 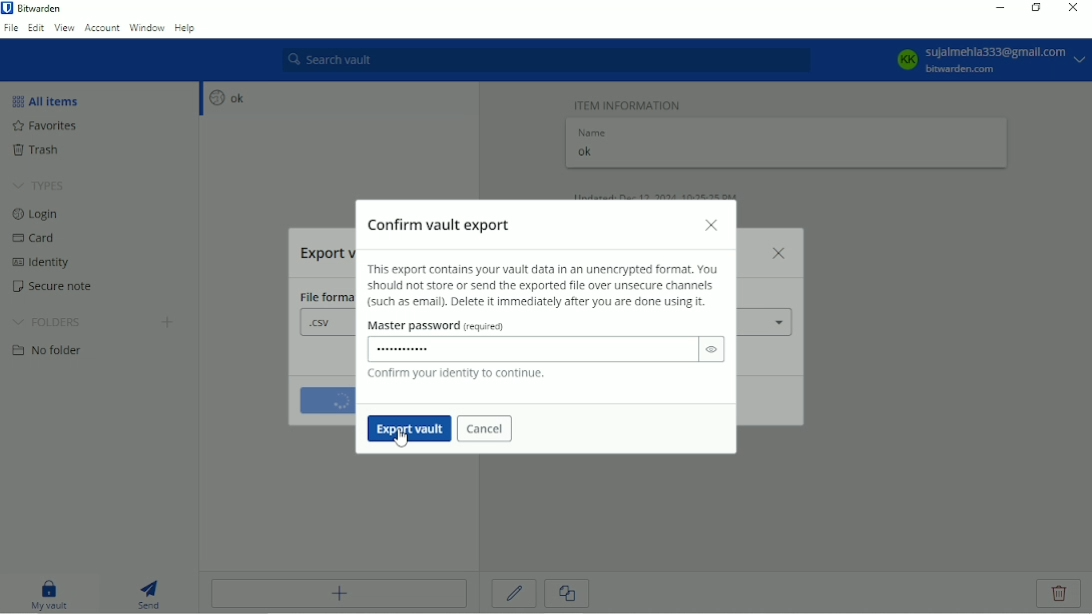 What do you see at coordinates (543, 286) in the screenshot?
I see `This export contains your vault data in an unencrypted format. You
Should not store or send the exported file over unsecure channels
(such as email). Delete it immediately after you are done using it.` at bounding box center [543, 286].